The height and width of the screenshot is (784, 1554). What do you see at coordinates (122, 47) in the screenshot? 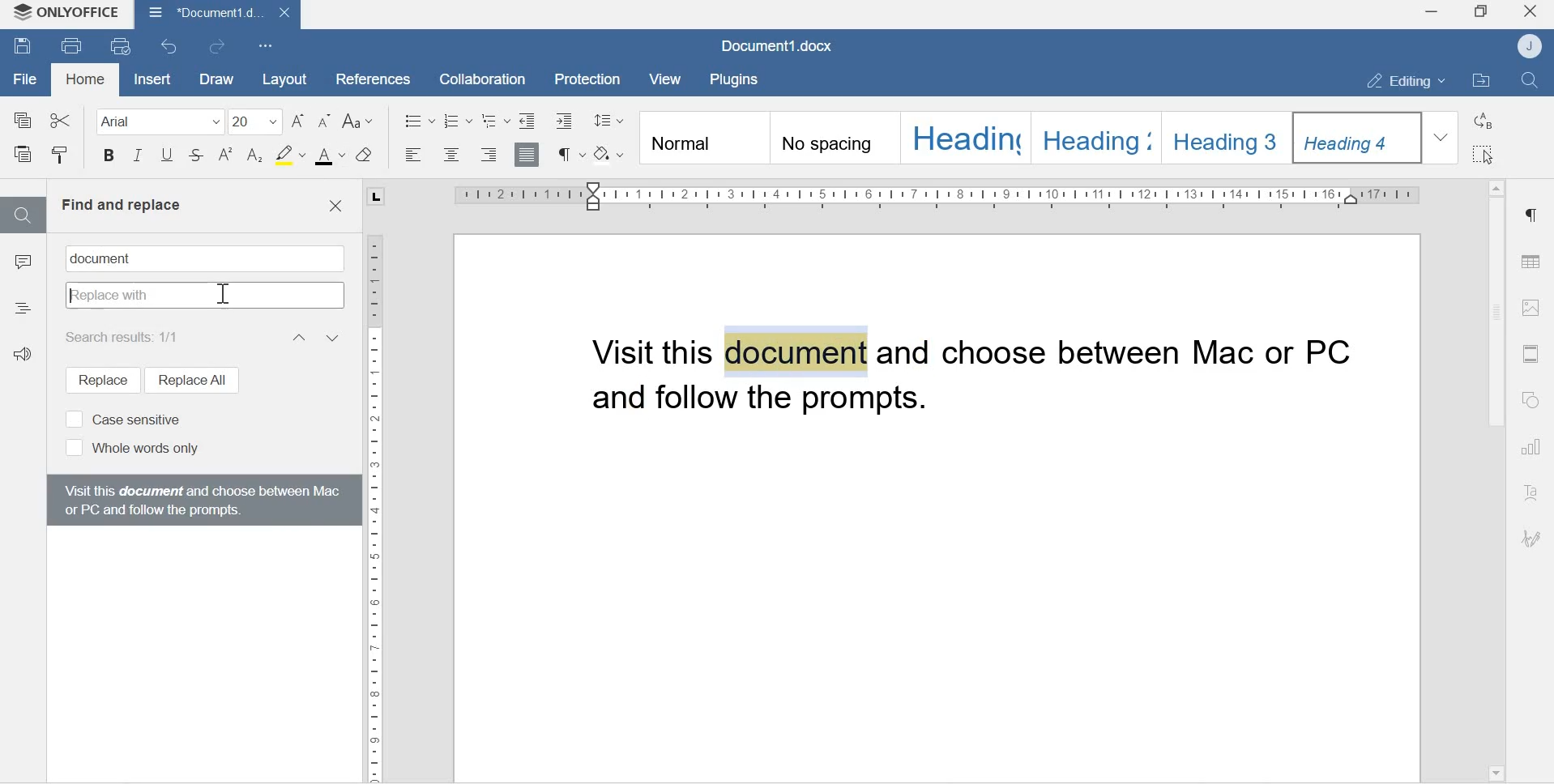
I see `Quick print` at bounding box center [122, 47].